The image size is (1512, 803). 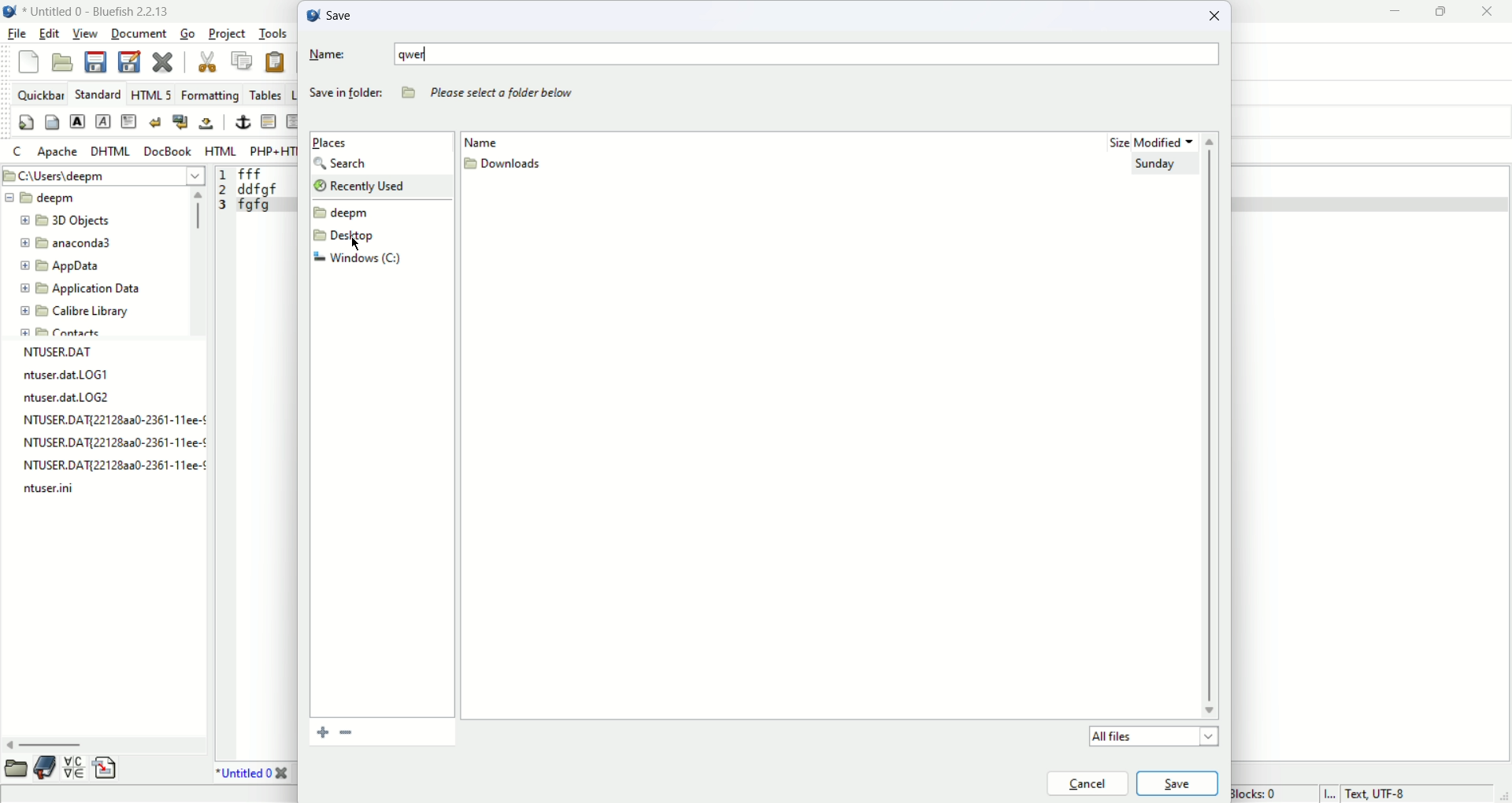 What do you see at coordinates (77, 121) in the screenshot?
I see `strong` at bounding box center [77, 121].